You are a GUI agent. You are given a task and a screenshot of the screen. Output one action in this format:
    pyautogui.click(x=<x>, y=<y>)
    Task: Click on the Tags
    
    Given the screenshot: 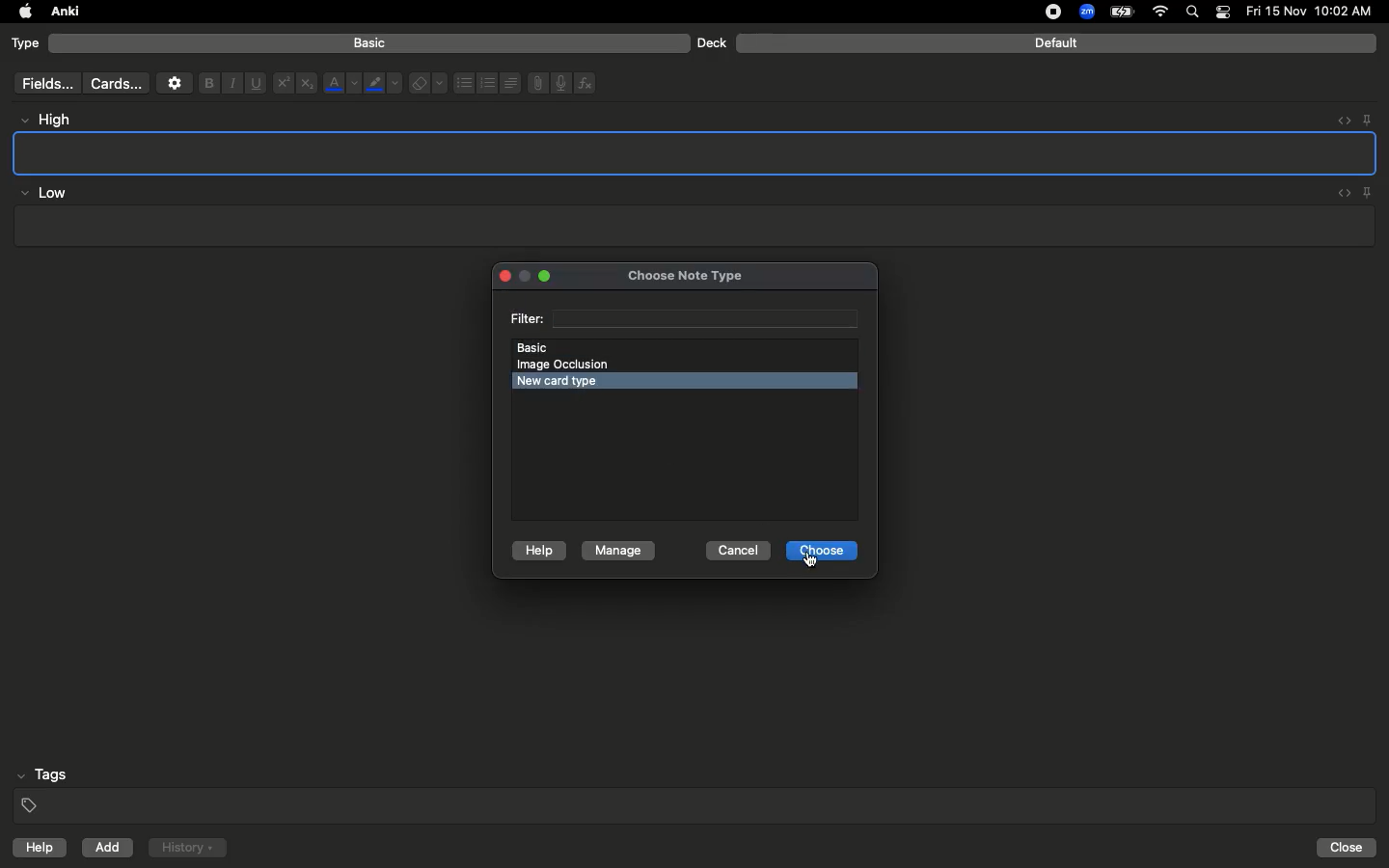 What is the action you would take?
    pyautogui.click(x=696, y=791)
    